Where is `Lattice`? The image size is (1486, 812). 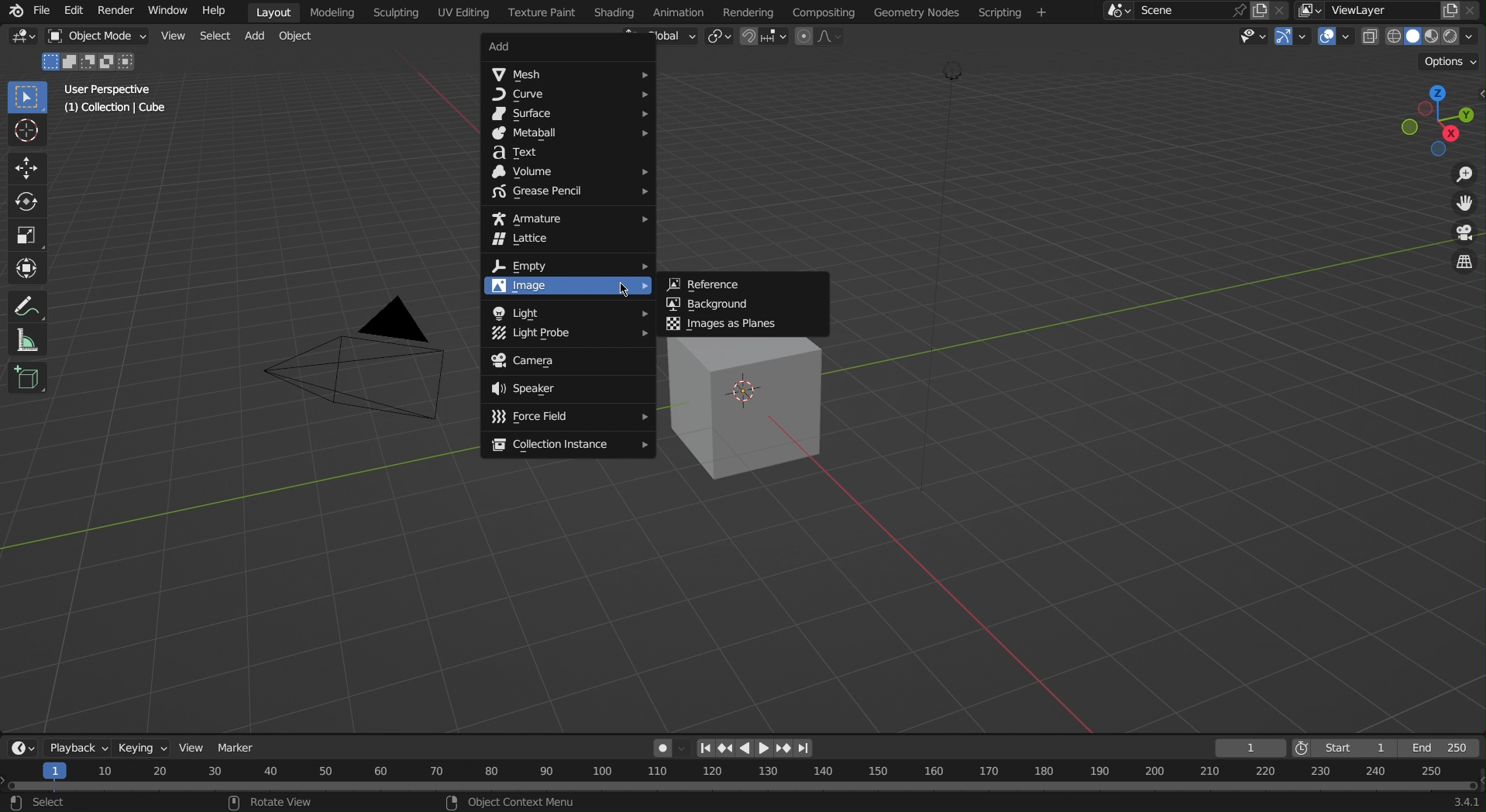 Lattice is located at coordinates (566, 240).